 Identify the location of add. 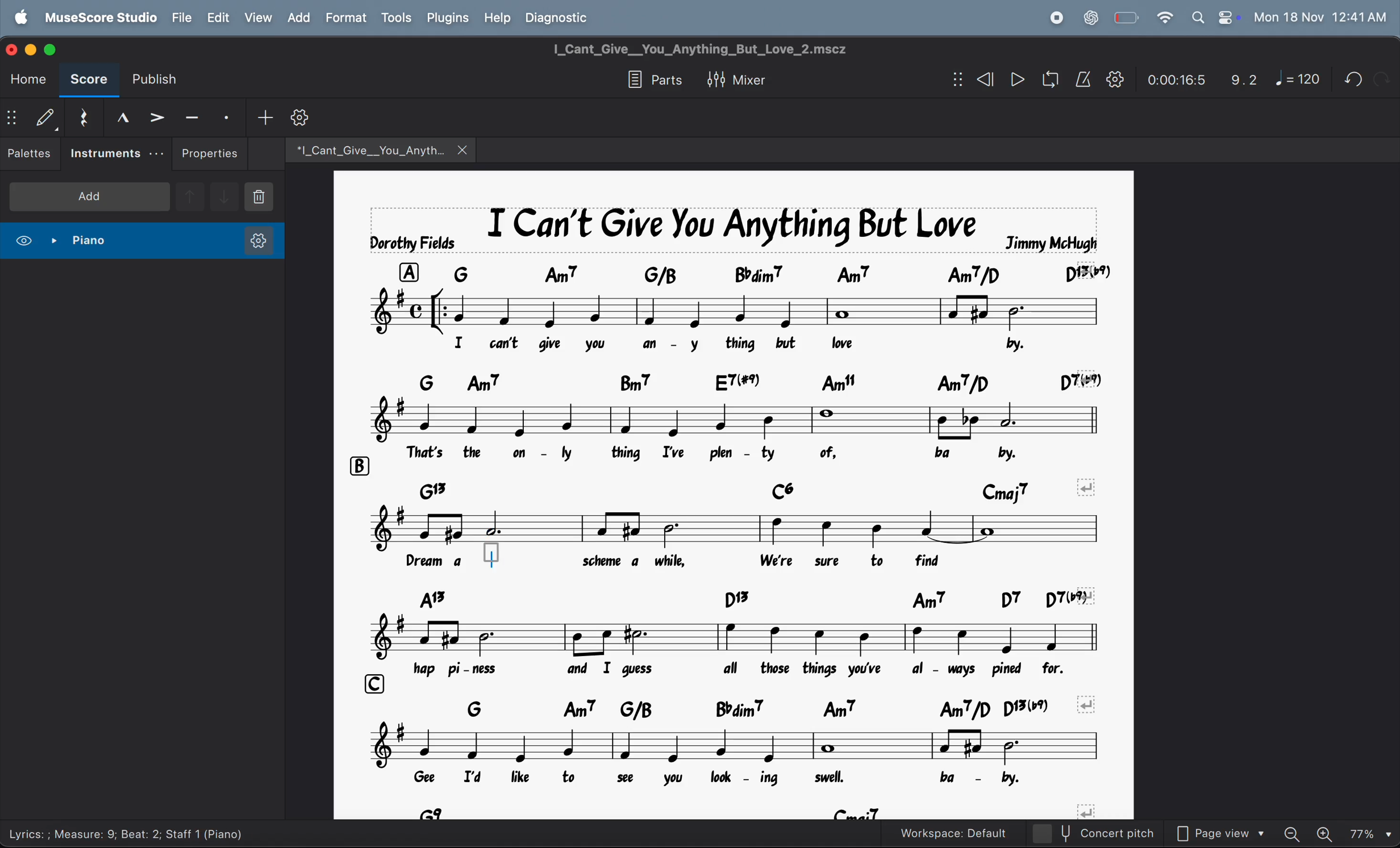
(299, 19).